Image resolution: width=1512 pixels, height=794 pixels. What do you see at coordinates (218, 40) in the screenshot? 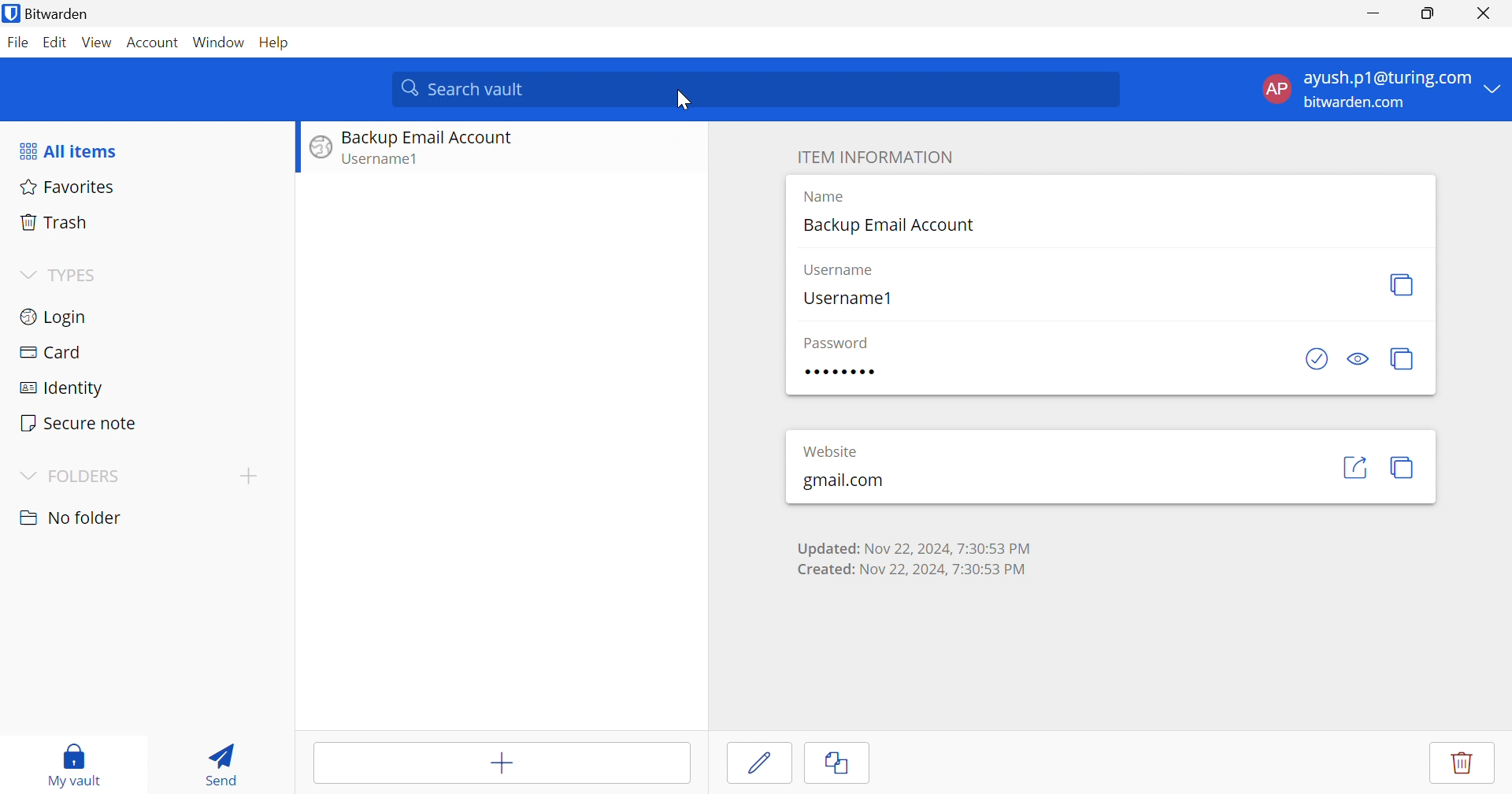
I see `Window` at bounding box center [218, 40].